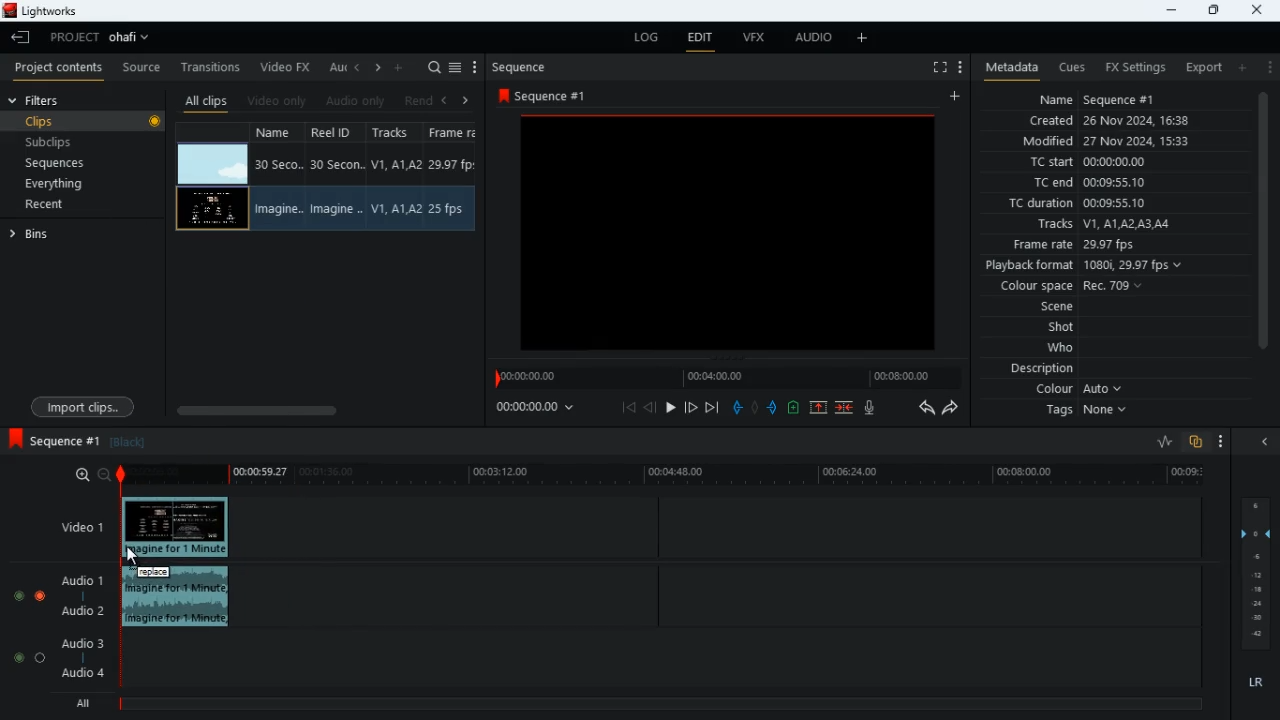 The height and width of the screenshot is (720, 1280). Describe the element at coordinates (955, 410) in the screenshot. I see `forward` at that location.